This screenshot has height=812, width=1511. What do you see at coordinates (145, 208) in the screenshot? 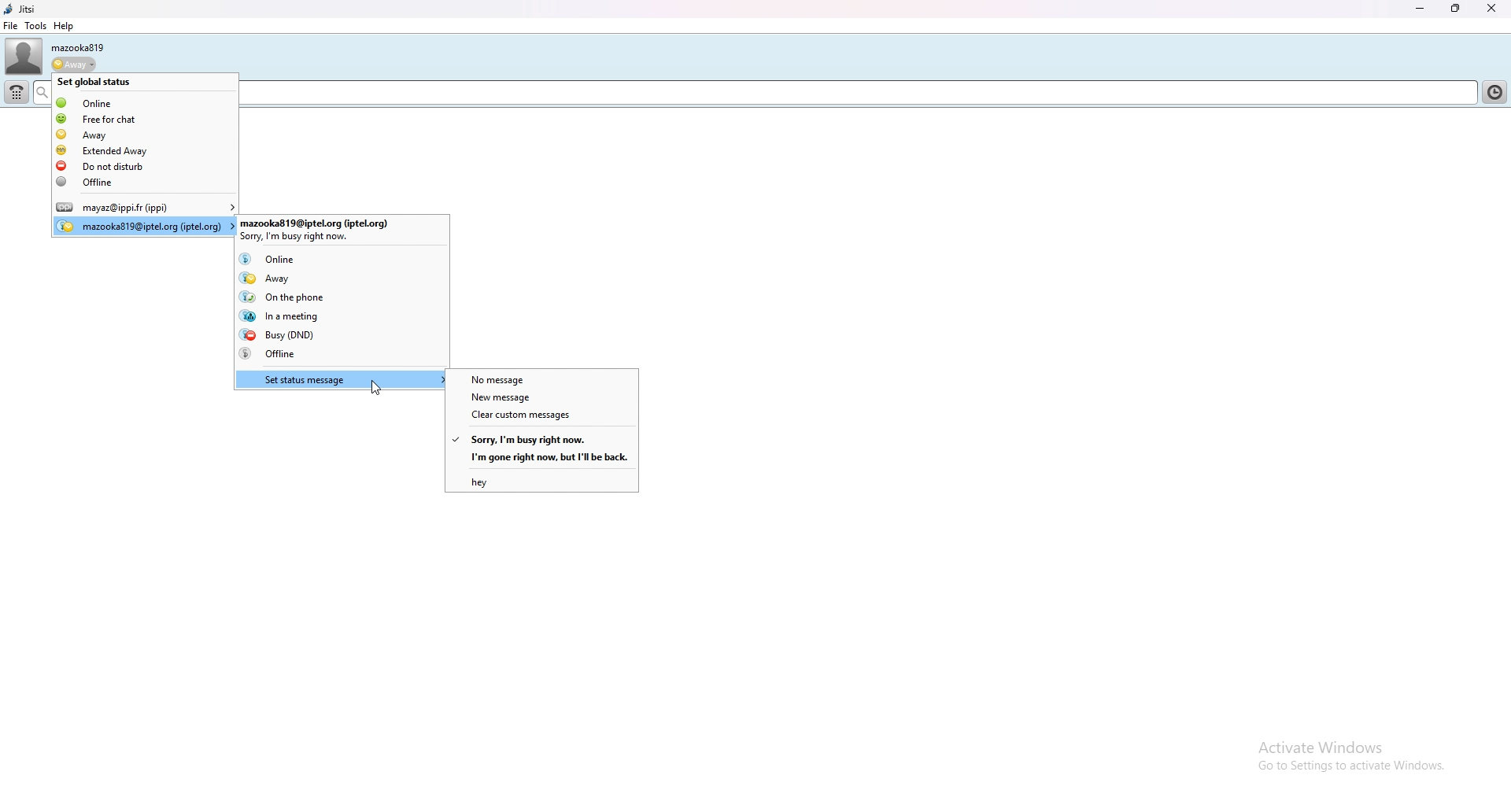
I see `user account` at bounding box center [145, 208].